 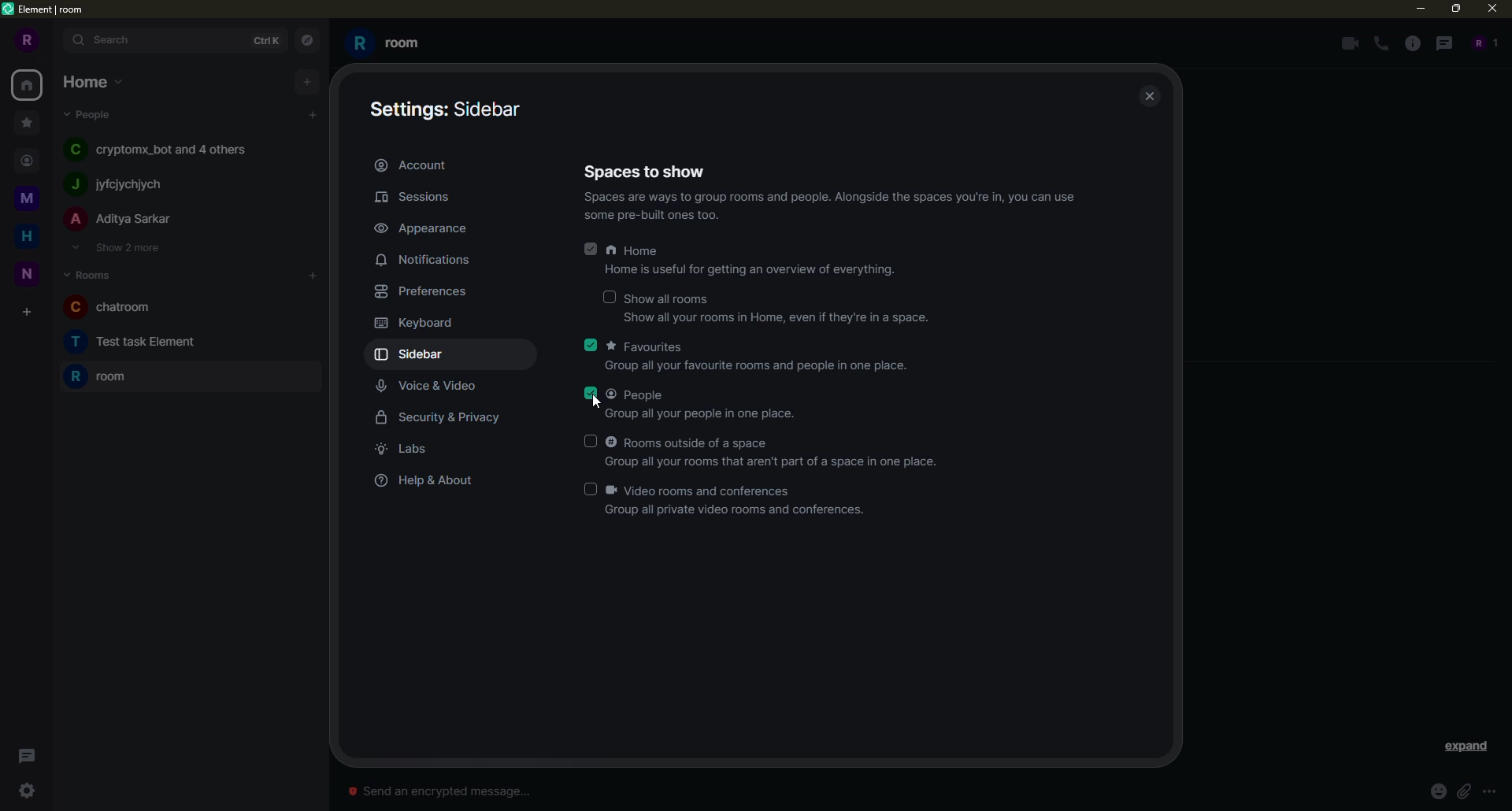 I want to click on add, so click(x=313, y=276).